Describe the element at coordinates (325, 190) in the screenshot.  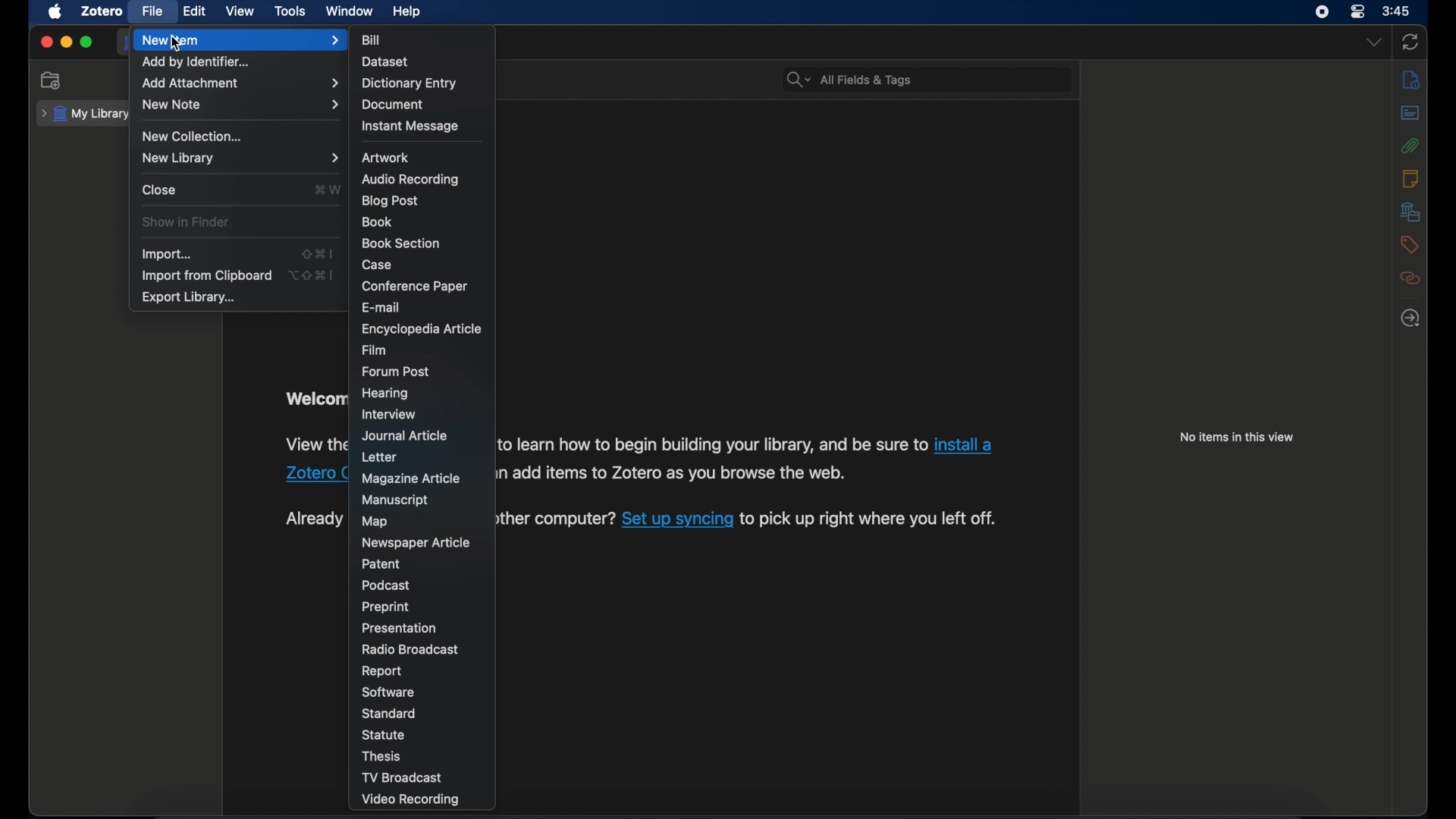
I see `shortcut` at that location.